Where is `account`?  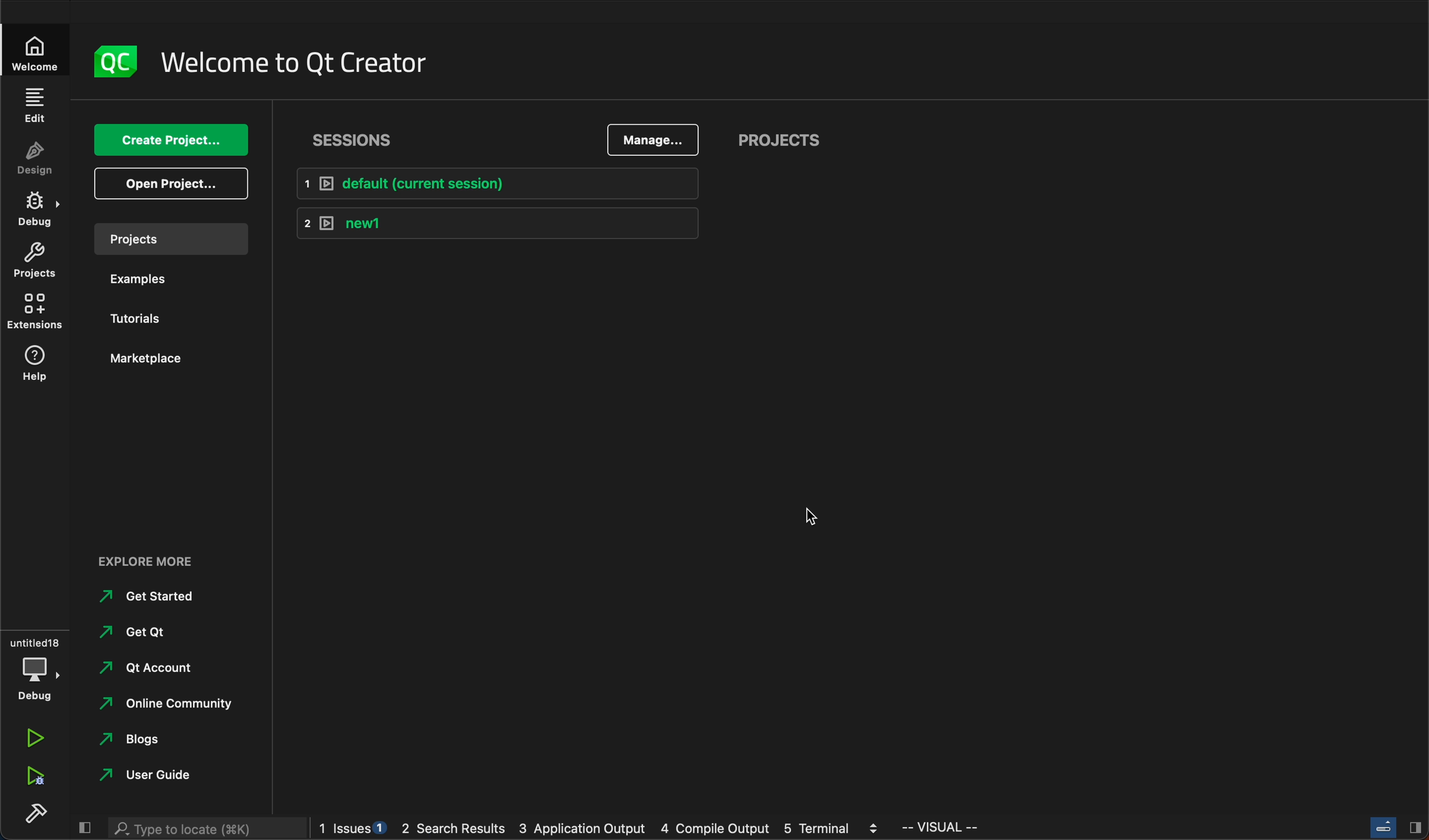
account is located at coordinates (152, 664).